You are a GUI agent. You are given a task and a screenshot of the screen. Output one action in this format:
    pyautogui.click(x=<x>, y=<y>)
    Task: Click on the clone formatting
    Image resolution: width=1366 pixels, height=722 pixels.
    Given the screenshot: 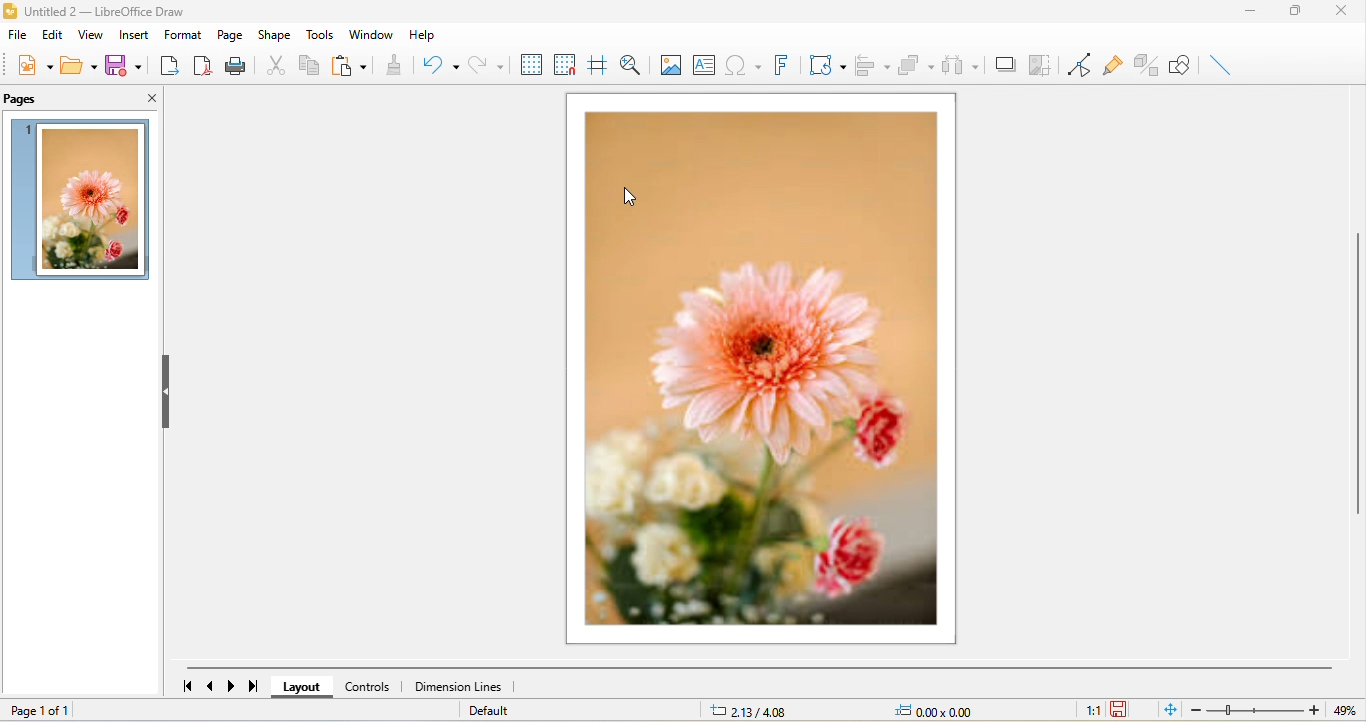 What is the action you would take?
    pyautogui.click(x=393, y=64)
    